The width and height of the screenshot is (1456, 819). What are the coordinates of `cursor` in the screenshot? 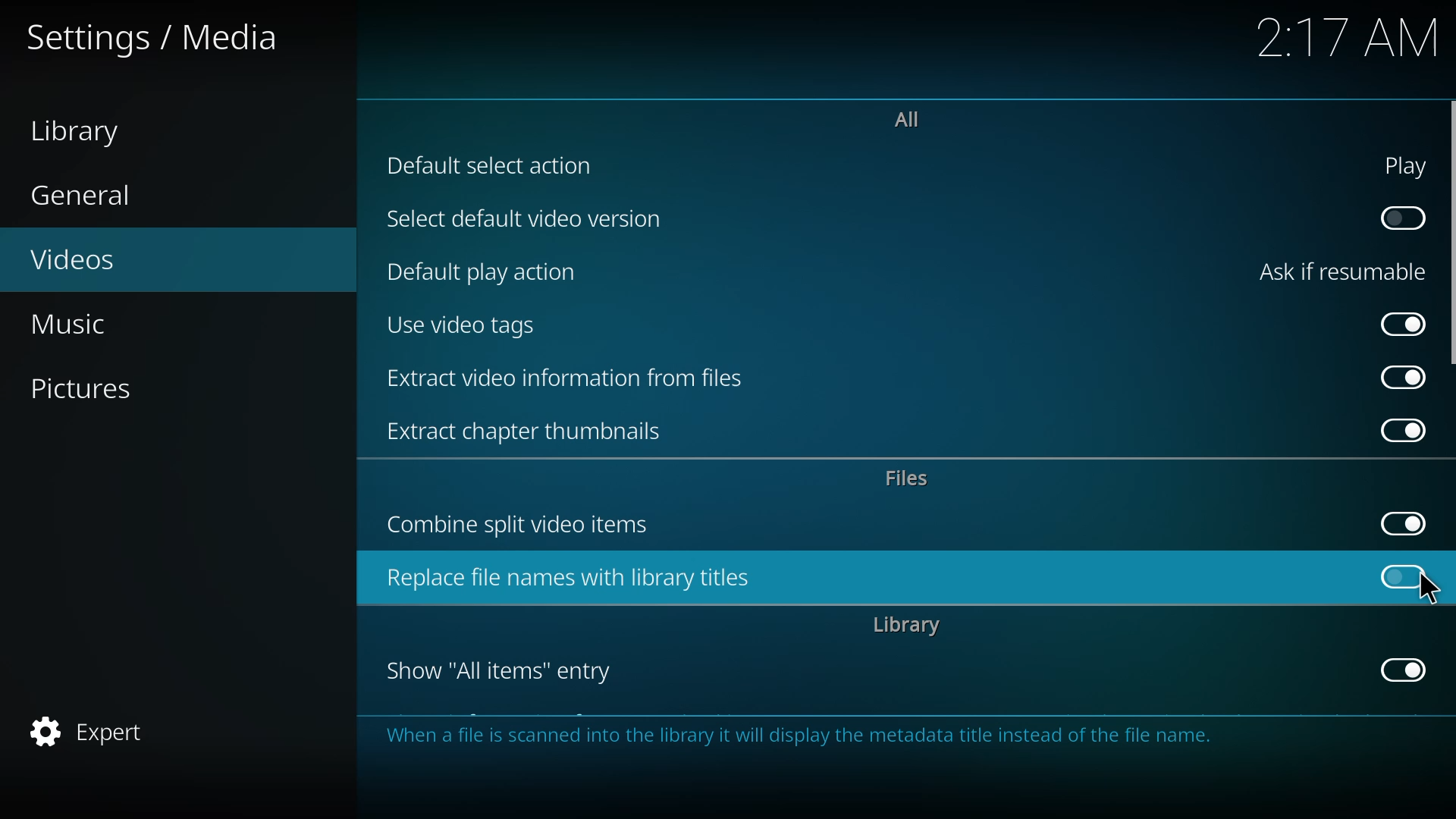 It's located at (1429, 590).